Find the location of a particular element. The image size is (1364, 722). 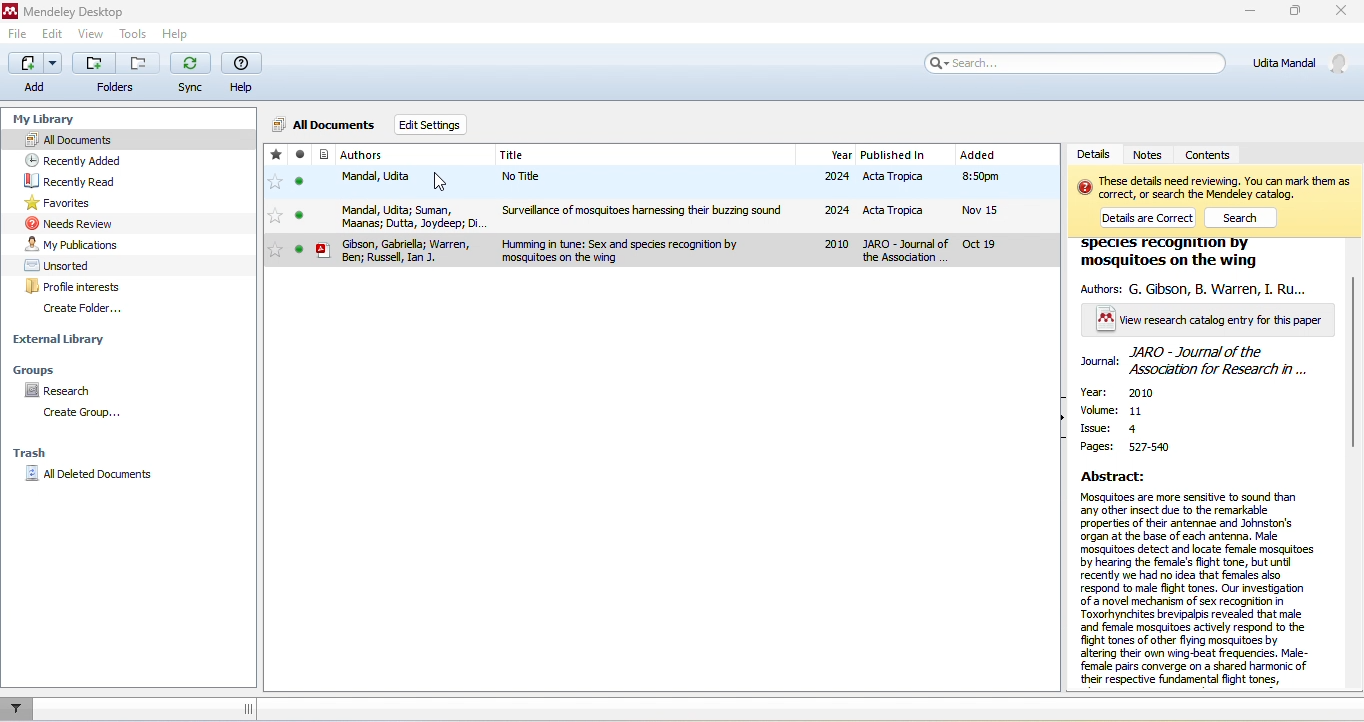

added is located at coordinates (1008, 156).